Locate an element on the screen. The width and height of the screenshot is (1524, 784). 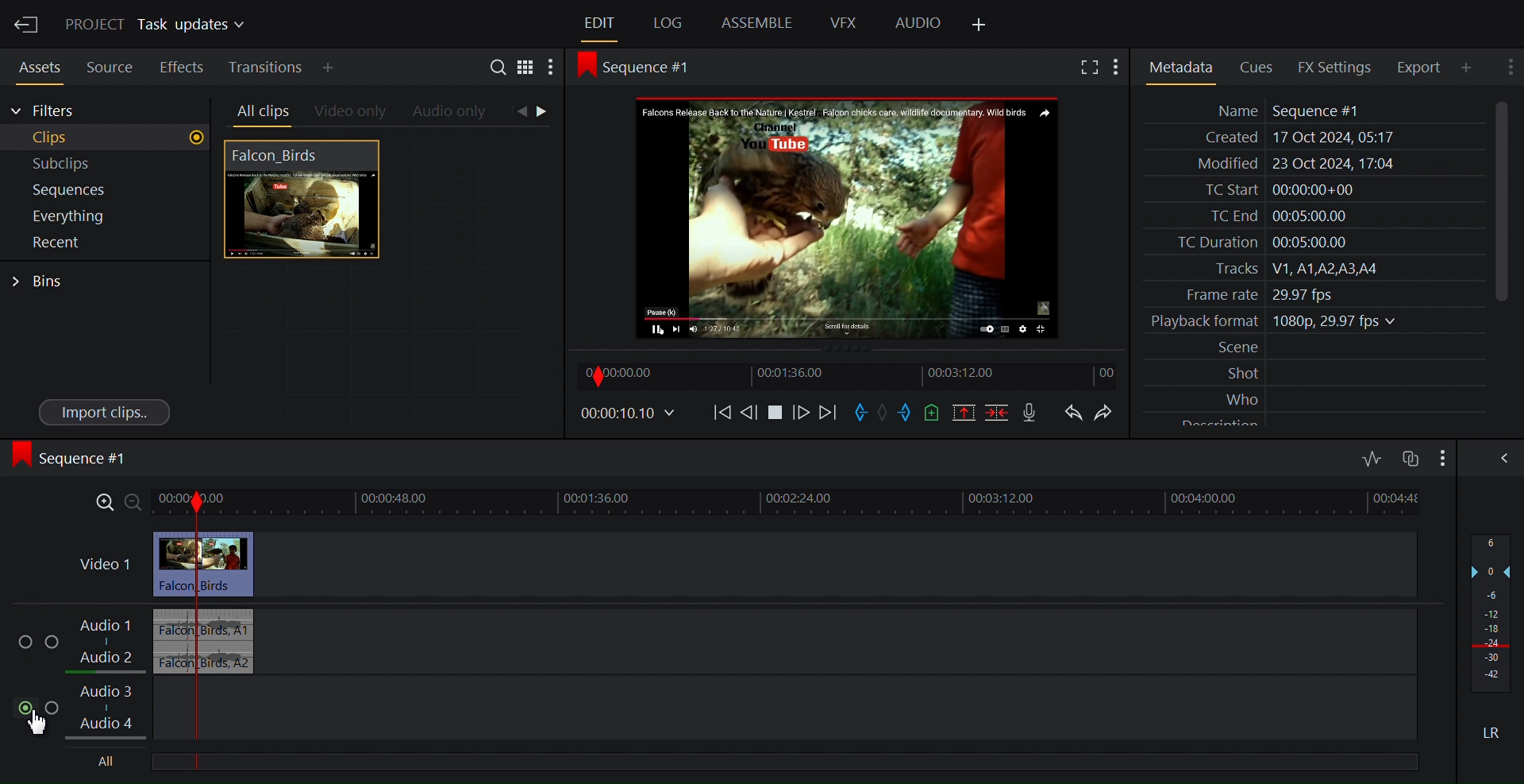
Cursor is located at coordinates (45, 723).